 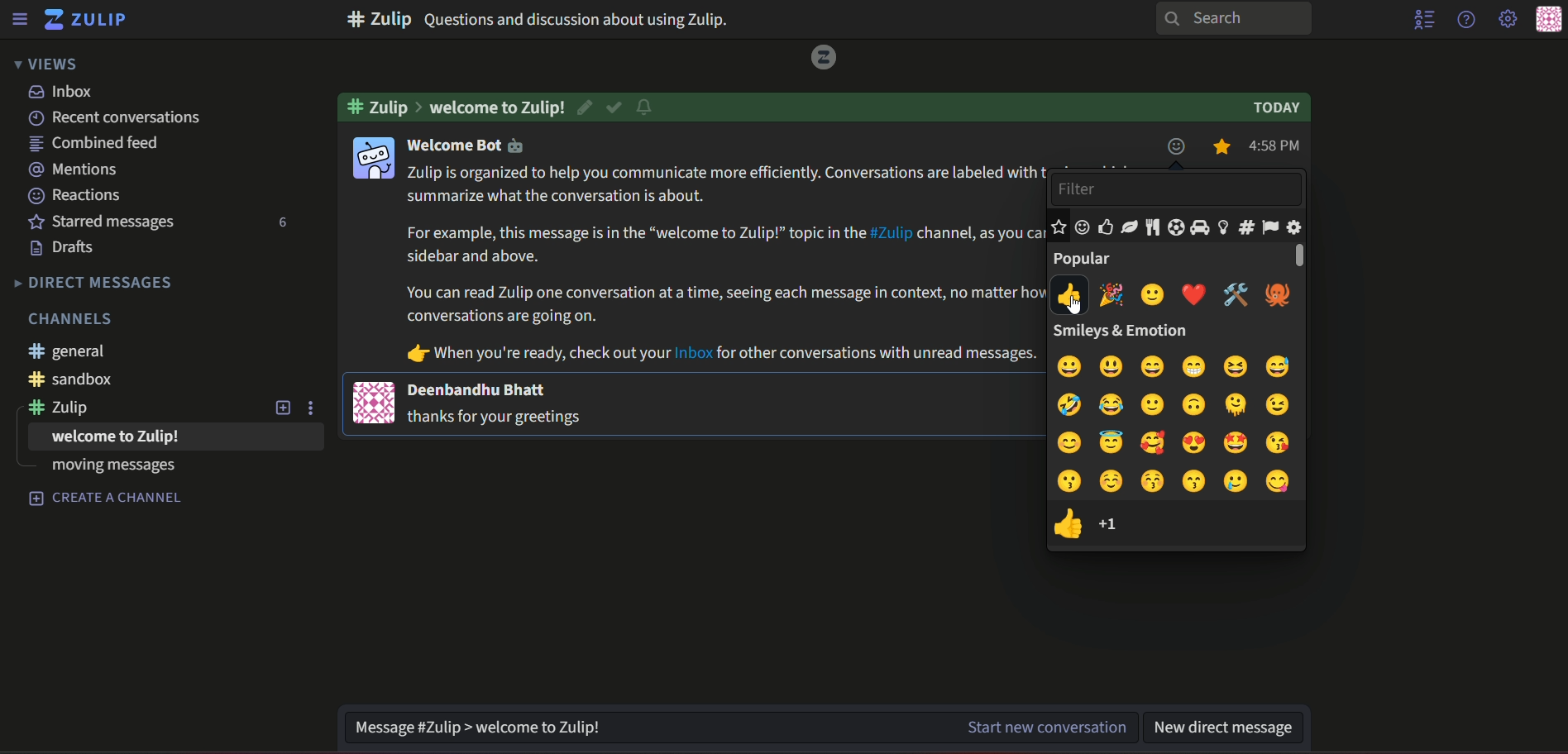 I want to click on Message #Zulip> welcome to Zulip! , so click(x=643, y=726).